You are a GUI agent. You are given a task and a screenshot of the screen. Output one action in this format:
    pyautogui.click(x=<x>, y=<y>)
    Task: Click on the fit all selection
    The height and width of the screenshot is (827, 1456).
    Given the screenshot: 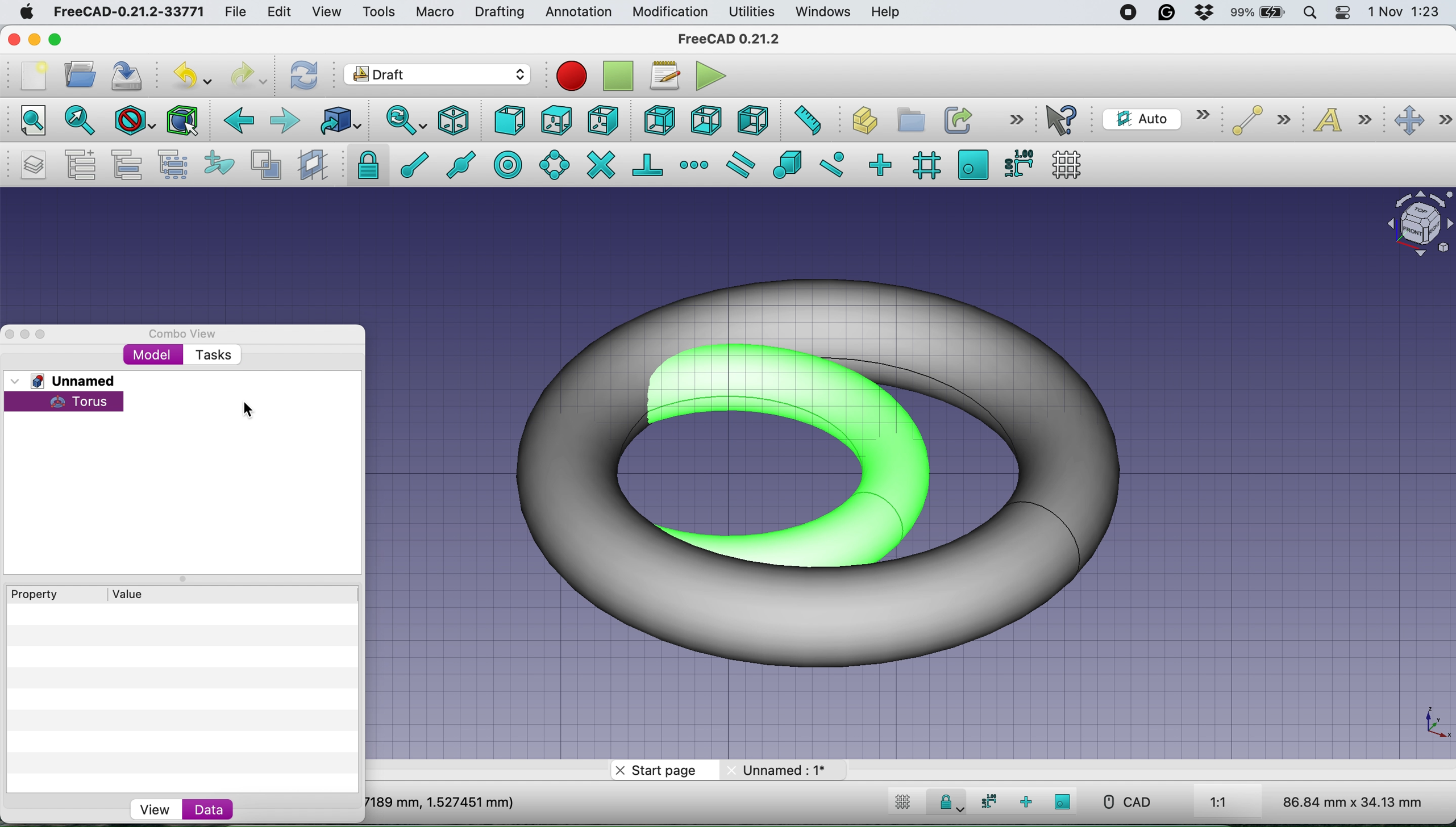 What is the action you would take?
    pyautogui.click(x=77, y=122)
    